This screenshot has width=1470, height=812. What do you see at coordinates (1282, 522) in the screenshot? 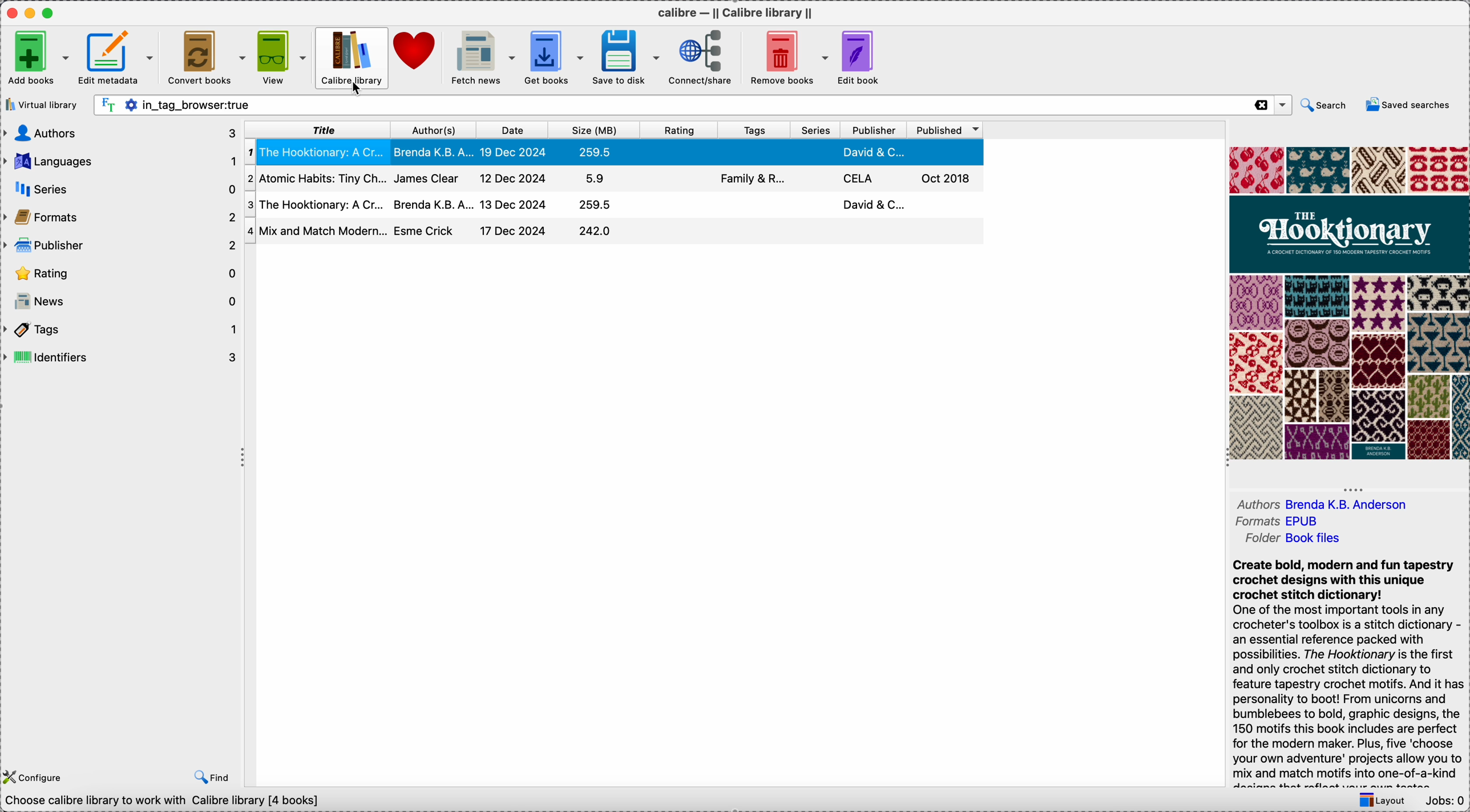
I see `formats` at bounding box center [1282, 522].